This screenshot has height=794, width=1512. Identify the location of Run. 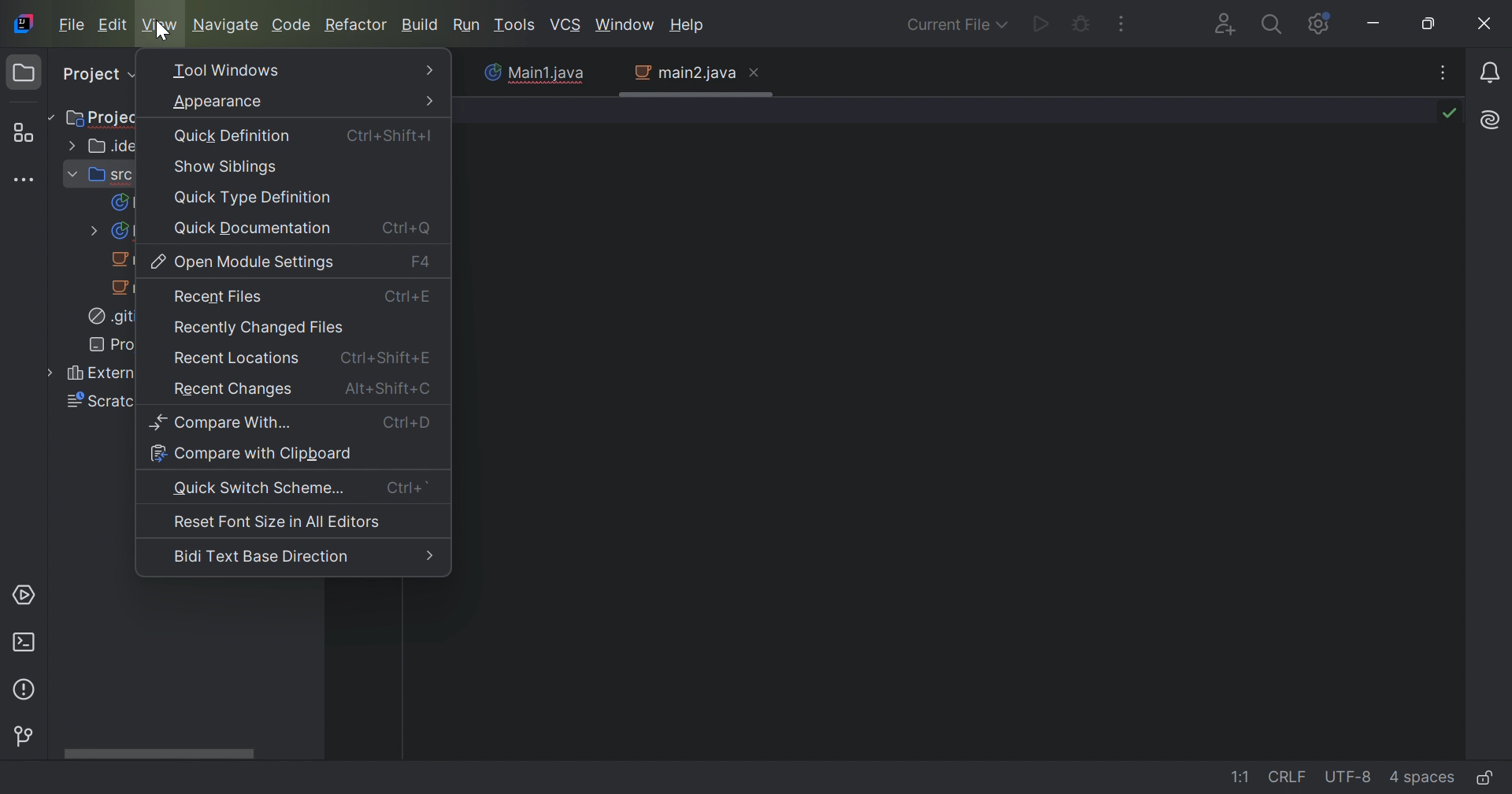
(467, 24).